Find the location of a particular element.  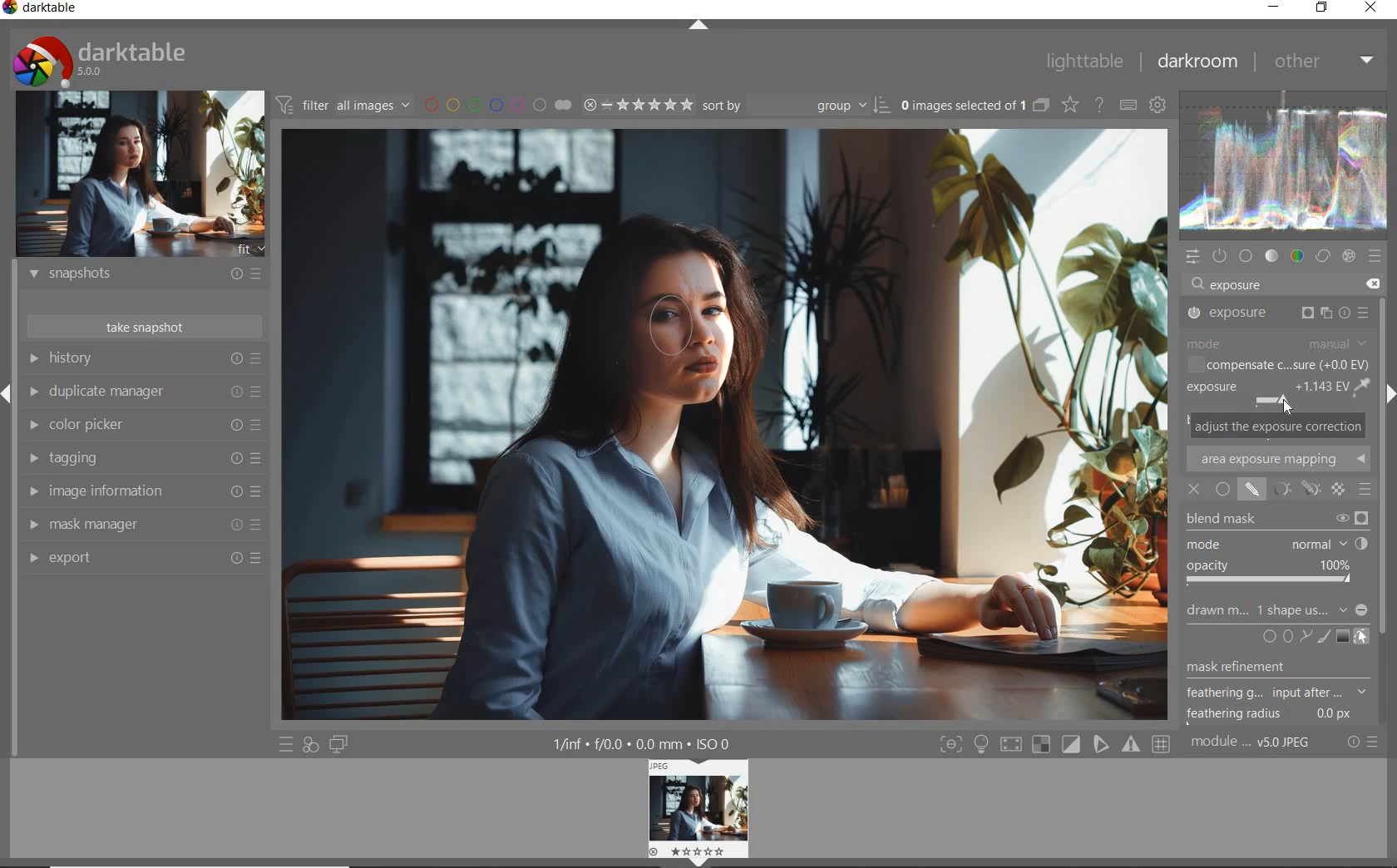

MODE is located at coordinates (1278, 344).